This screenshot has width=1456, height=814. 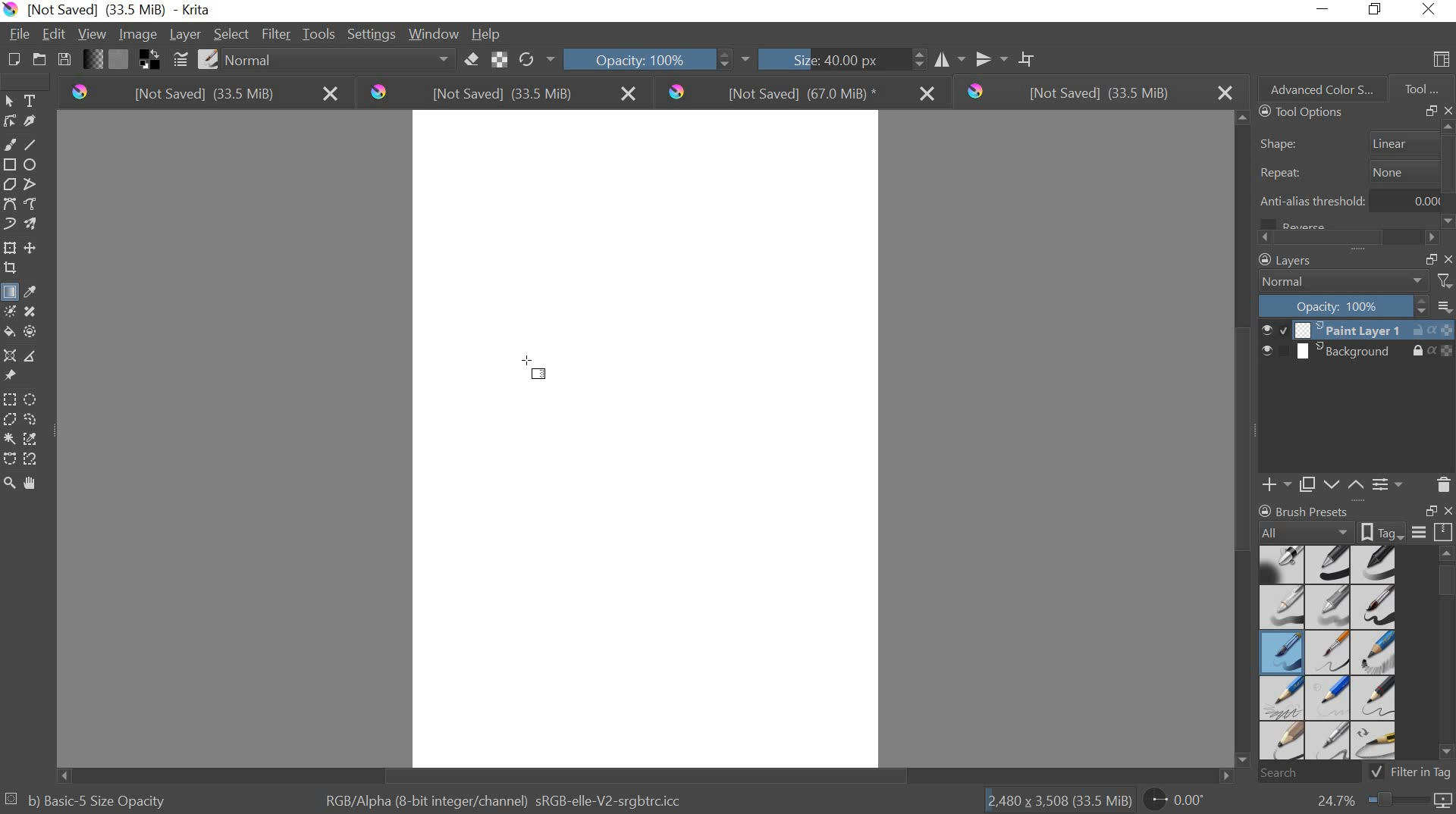 What do you see at coordinates (30, 165) in the screenshot?
I see `ellipses` at bounding box center [30, 165].